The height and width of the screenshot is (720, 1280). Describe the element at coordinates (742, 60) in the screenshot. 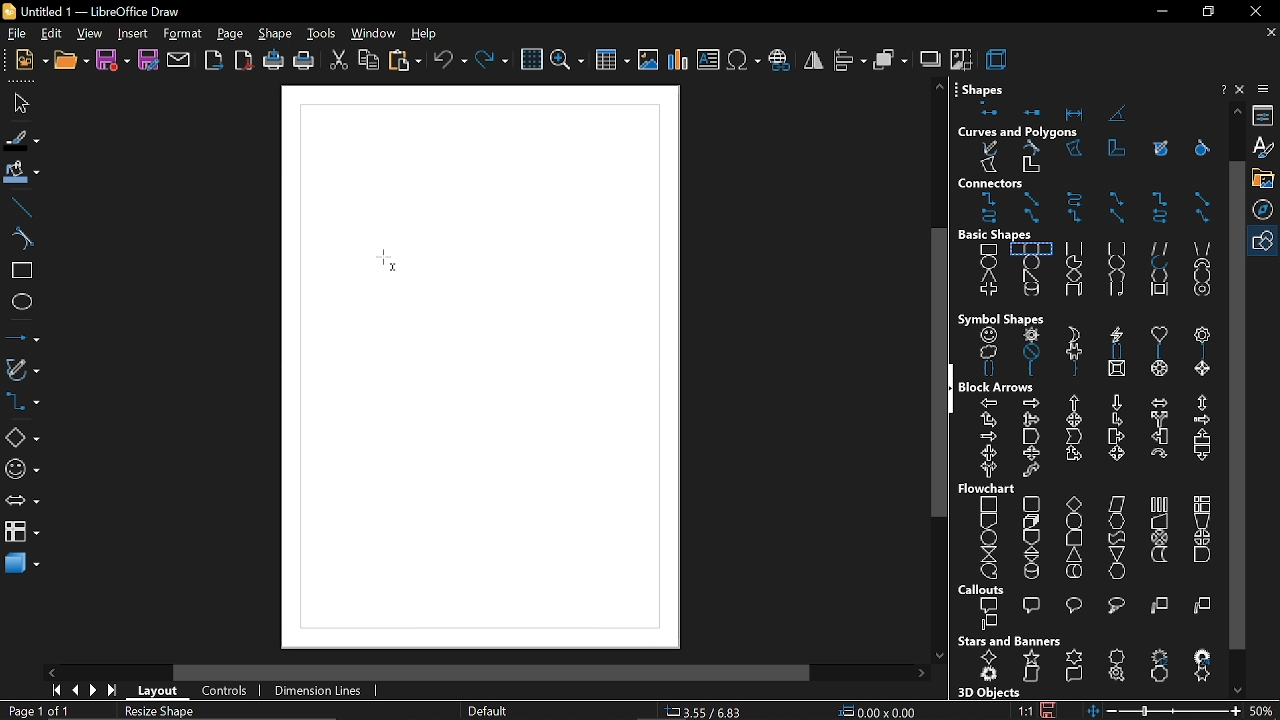

I see `insert symbol` at that location.